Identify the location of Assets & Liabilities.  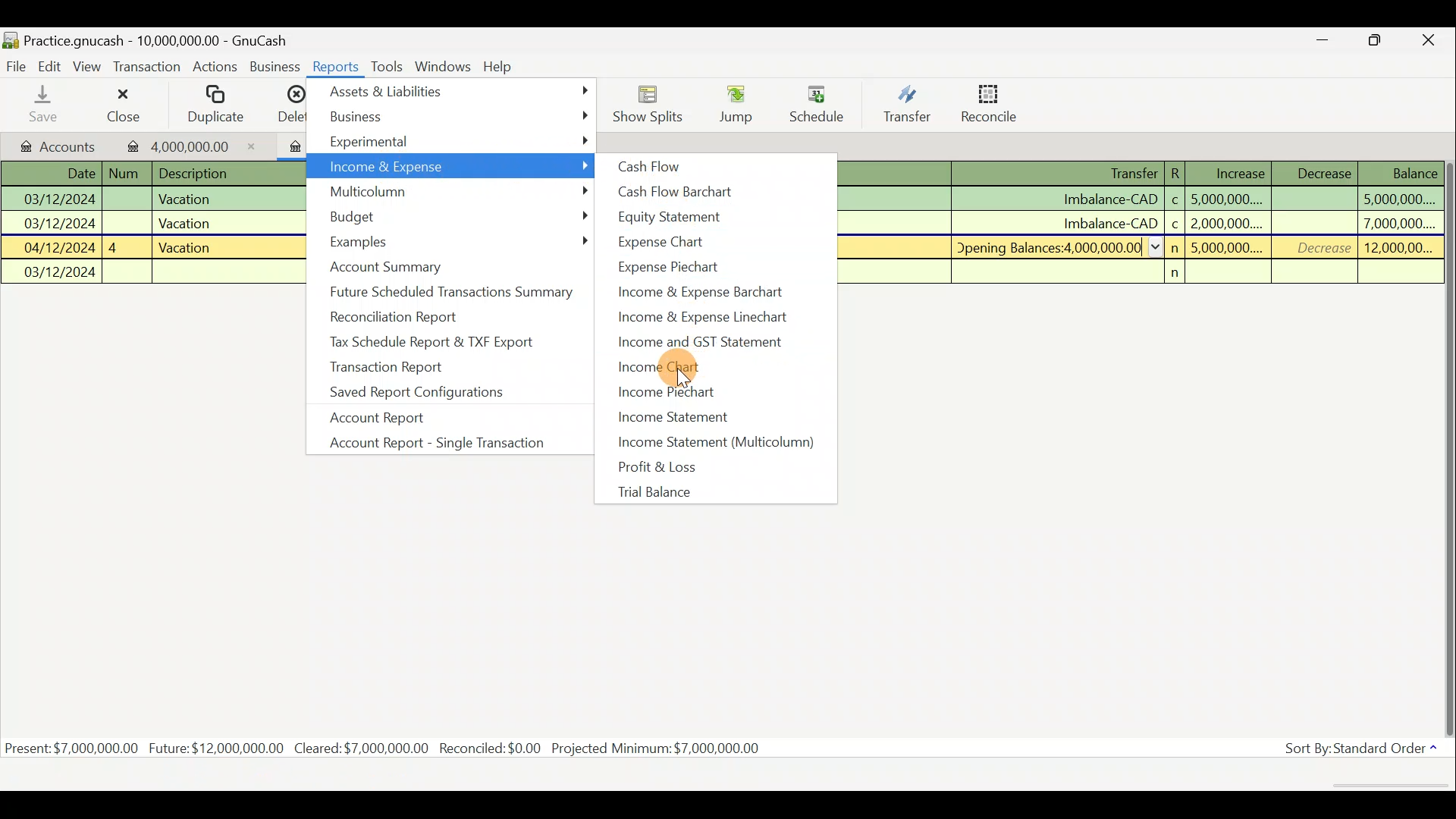
(461, 91).